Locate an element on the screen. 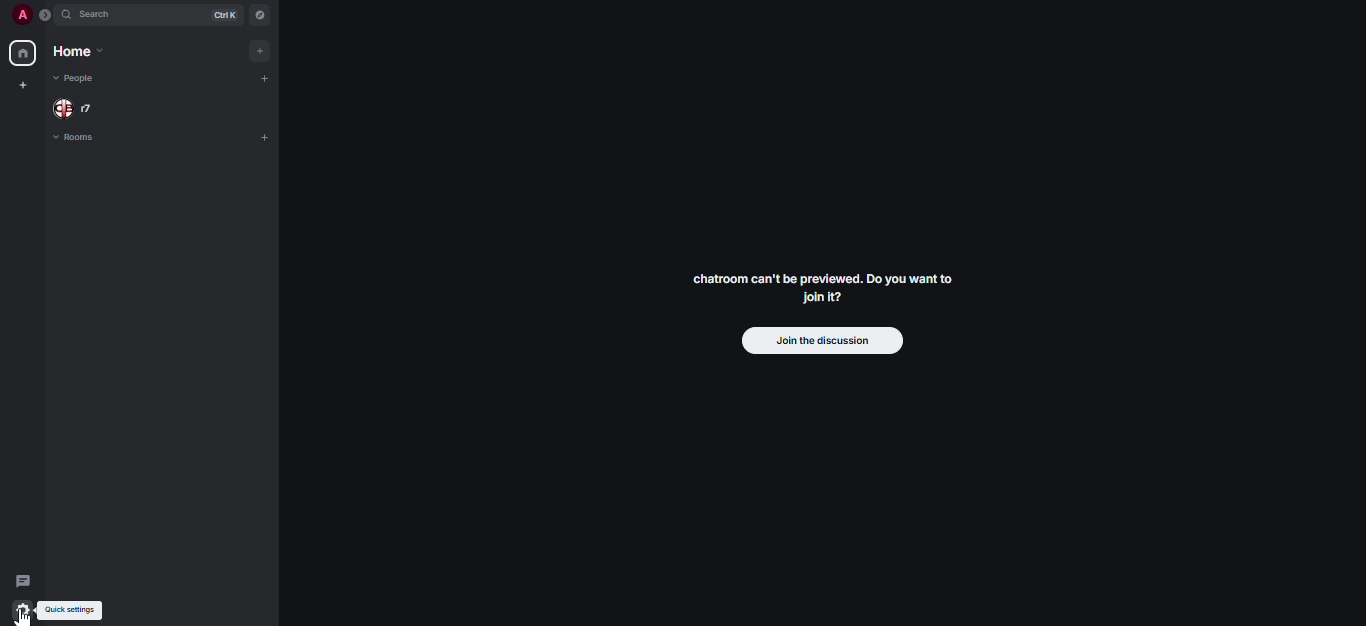 The image size is (1366, 626). add is located at coordinates (259, 51).